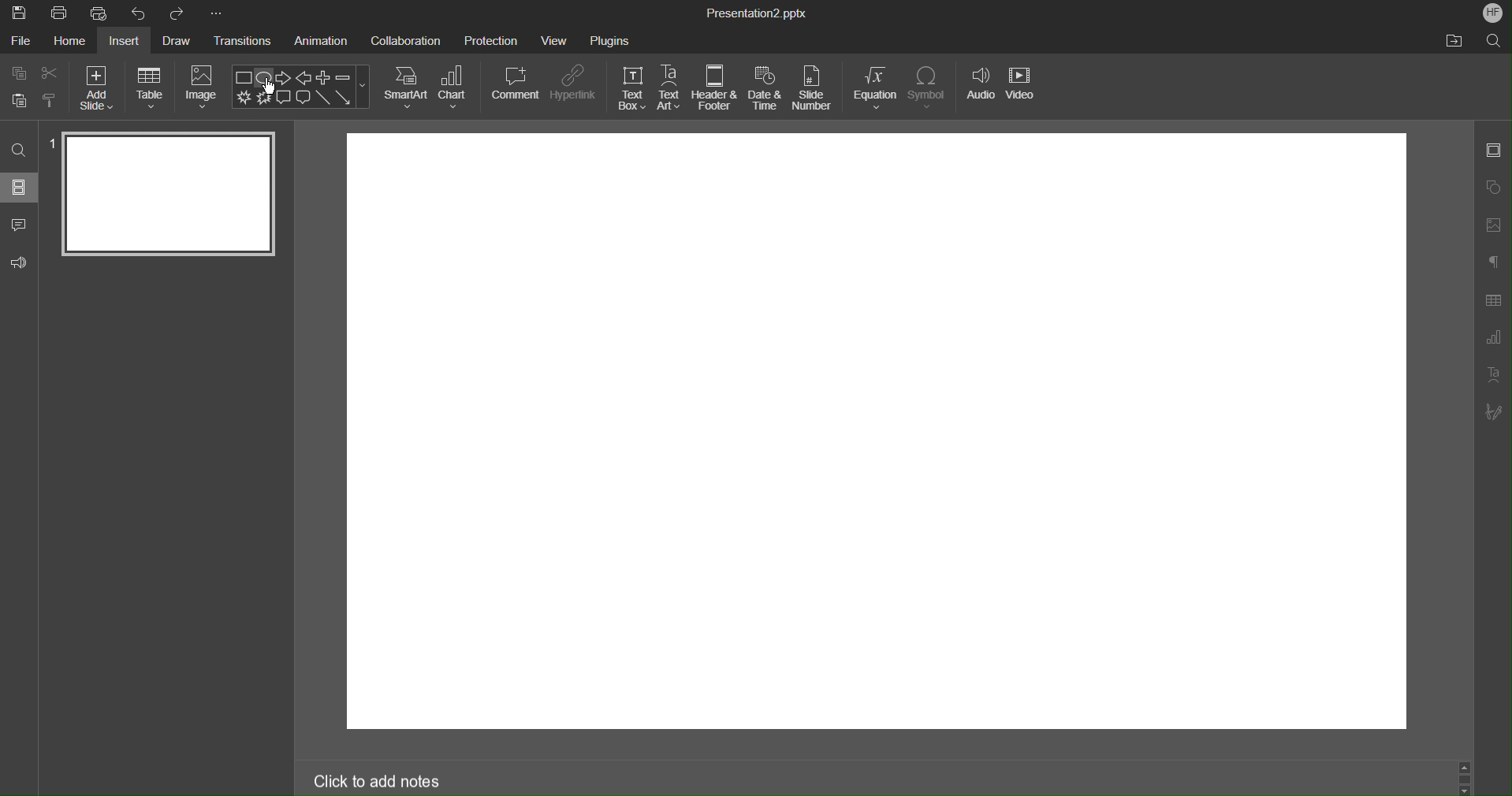 The width and height of the screenshot is (1512, 796). Describe the element at coordinates (406, 39) in the screenshot. I see `Collaboration` at that location.